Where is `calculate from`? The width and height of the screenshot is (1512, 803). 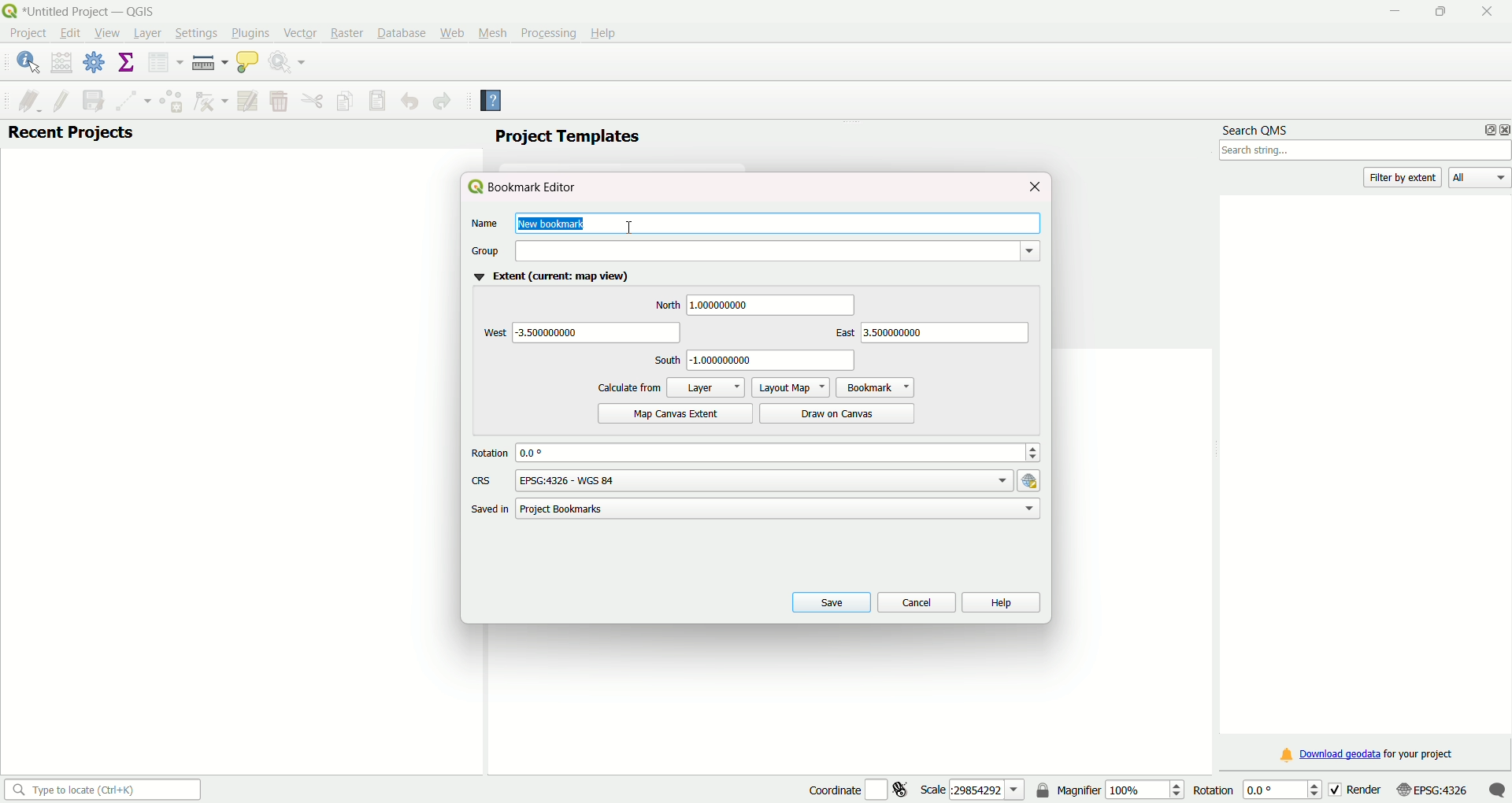
calculate from is located at coordinates (629, 387).